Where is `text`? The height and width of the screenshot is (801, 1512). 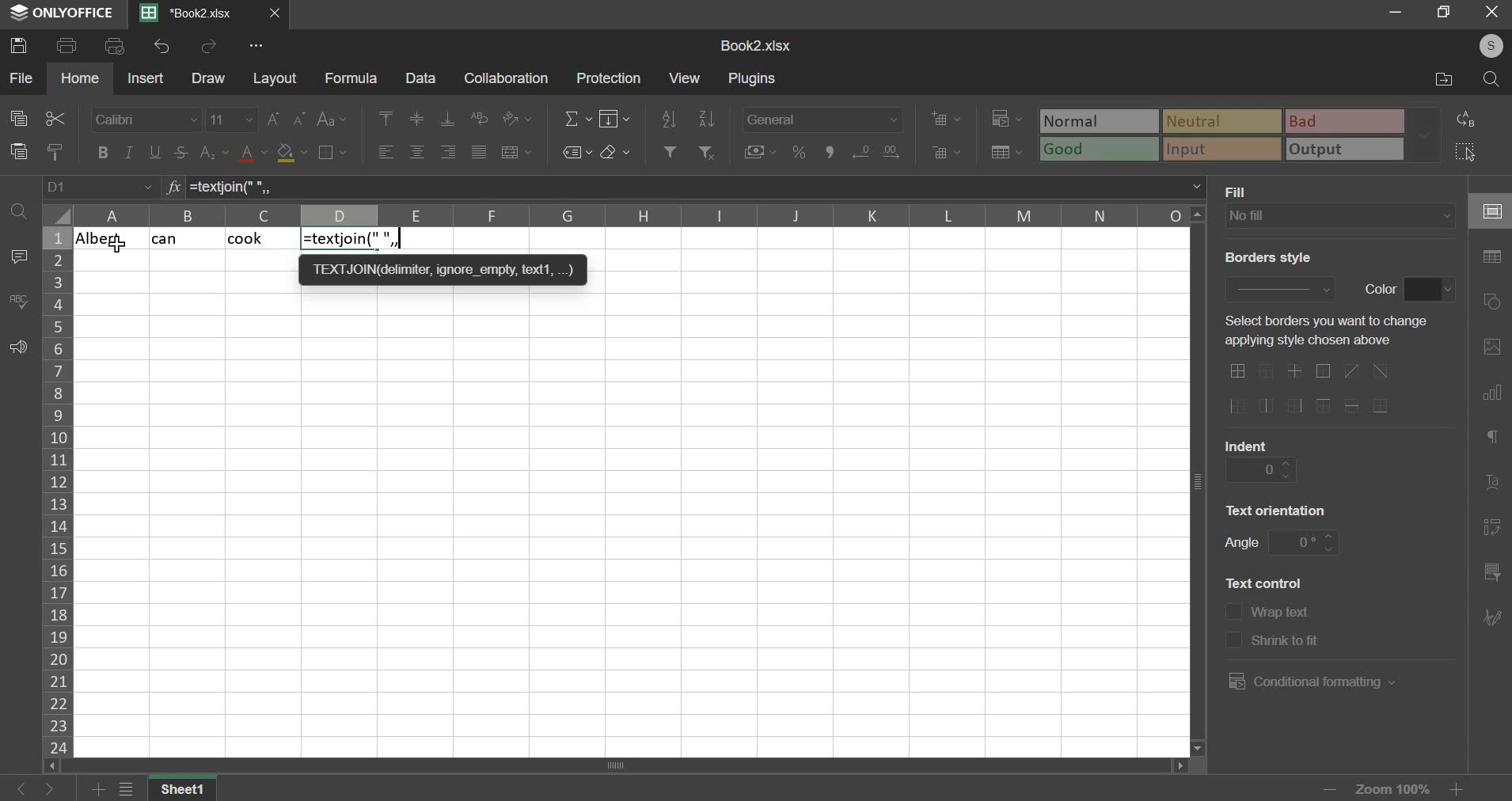
text is located at coordinates (1287, 643).